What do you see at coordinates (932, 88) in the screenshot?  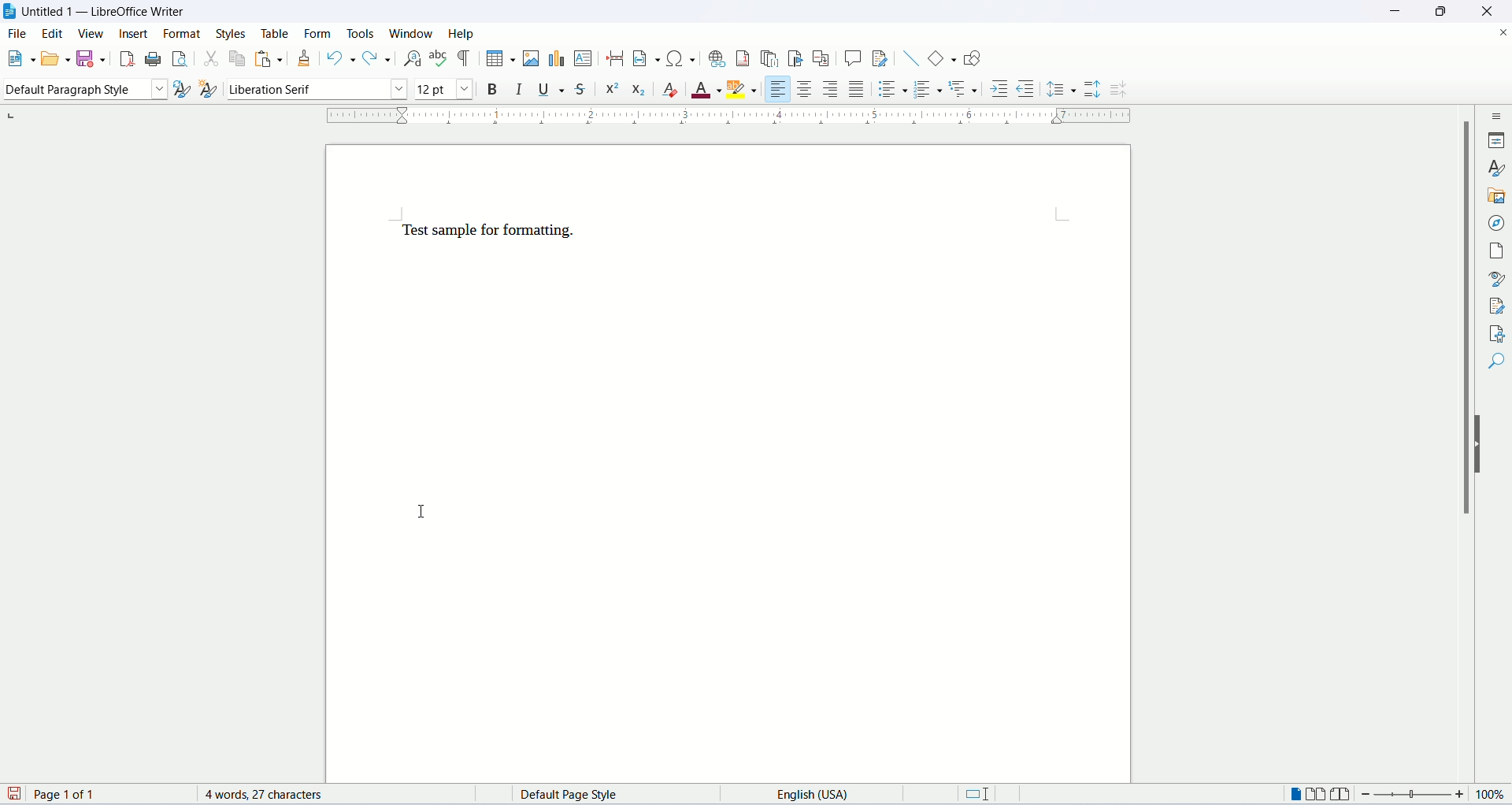 I see `ordered list` at bounding box center [932, 88].